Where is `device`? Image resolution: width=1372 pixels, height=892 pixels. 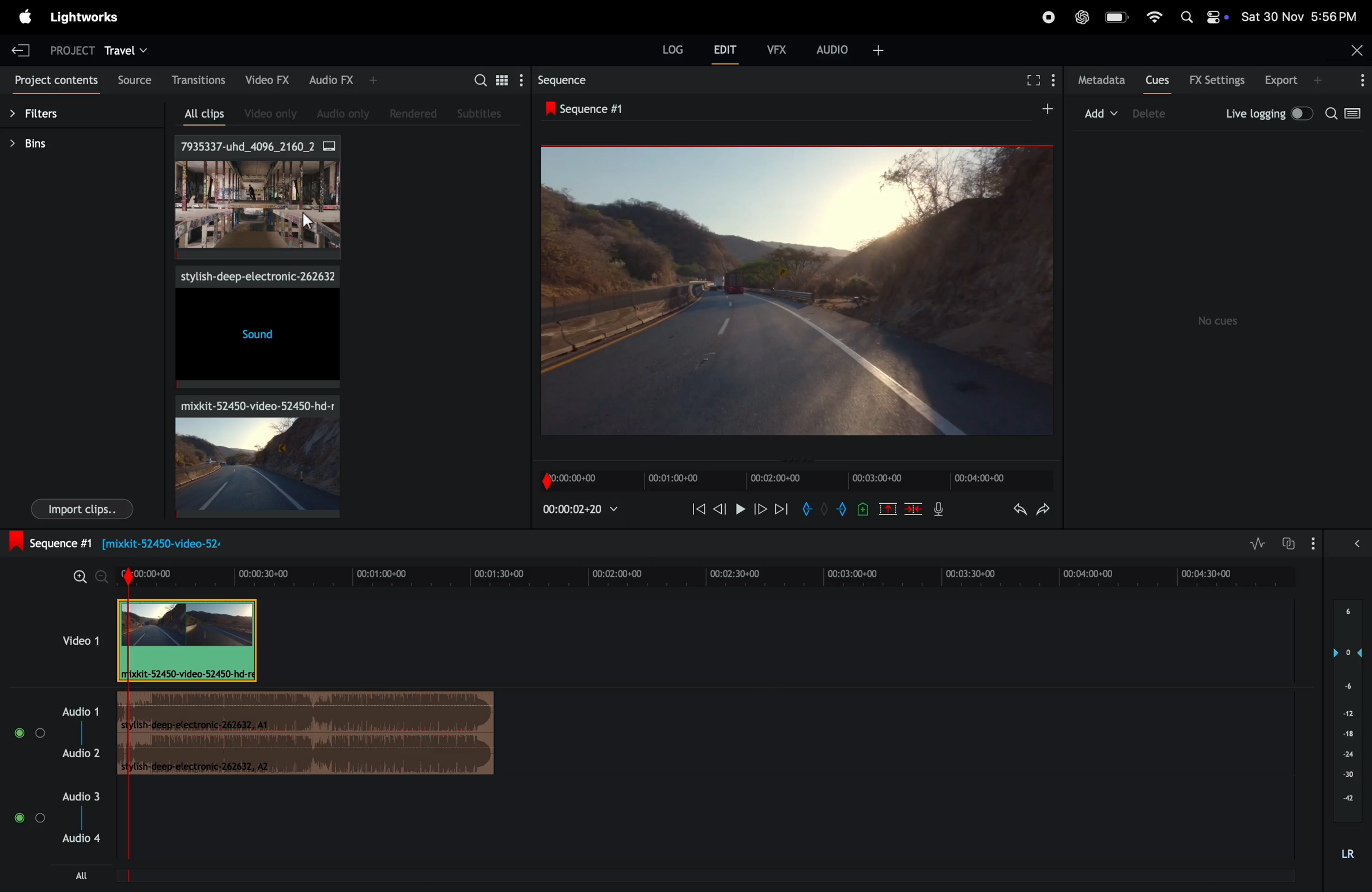
device is located at coordinates (1159, 115).